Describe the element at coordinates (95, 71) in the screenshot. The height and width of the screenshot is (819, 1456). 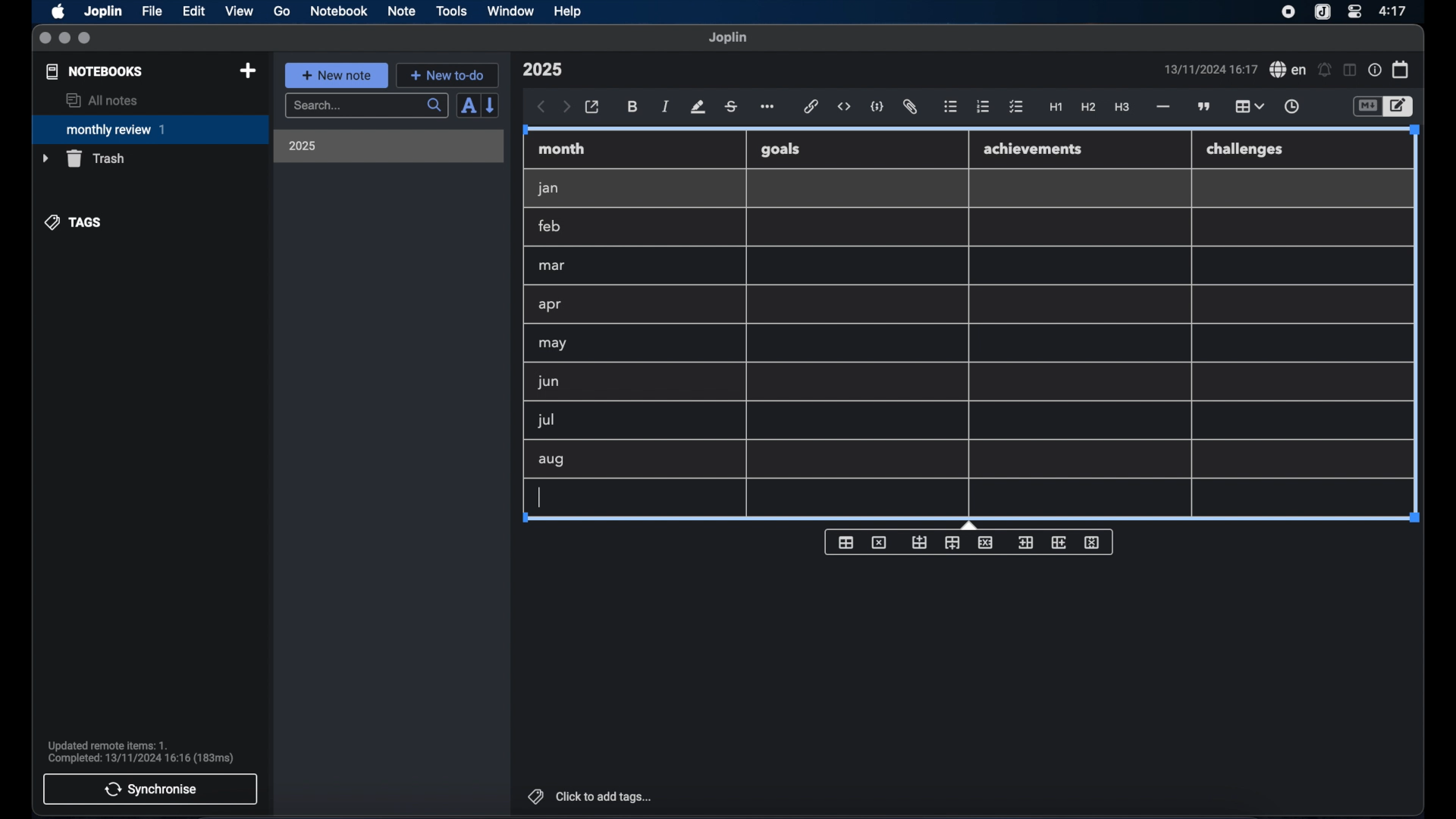
I see `notebooks` at that location.